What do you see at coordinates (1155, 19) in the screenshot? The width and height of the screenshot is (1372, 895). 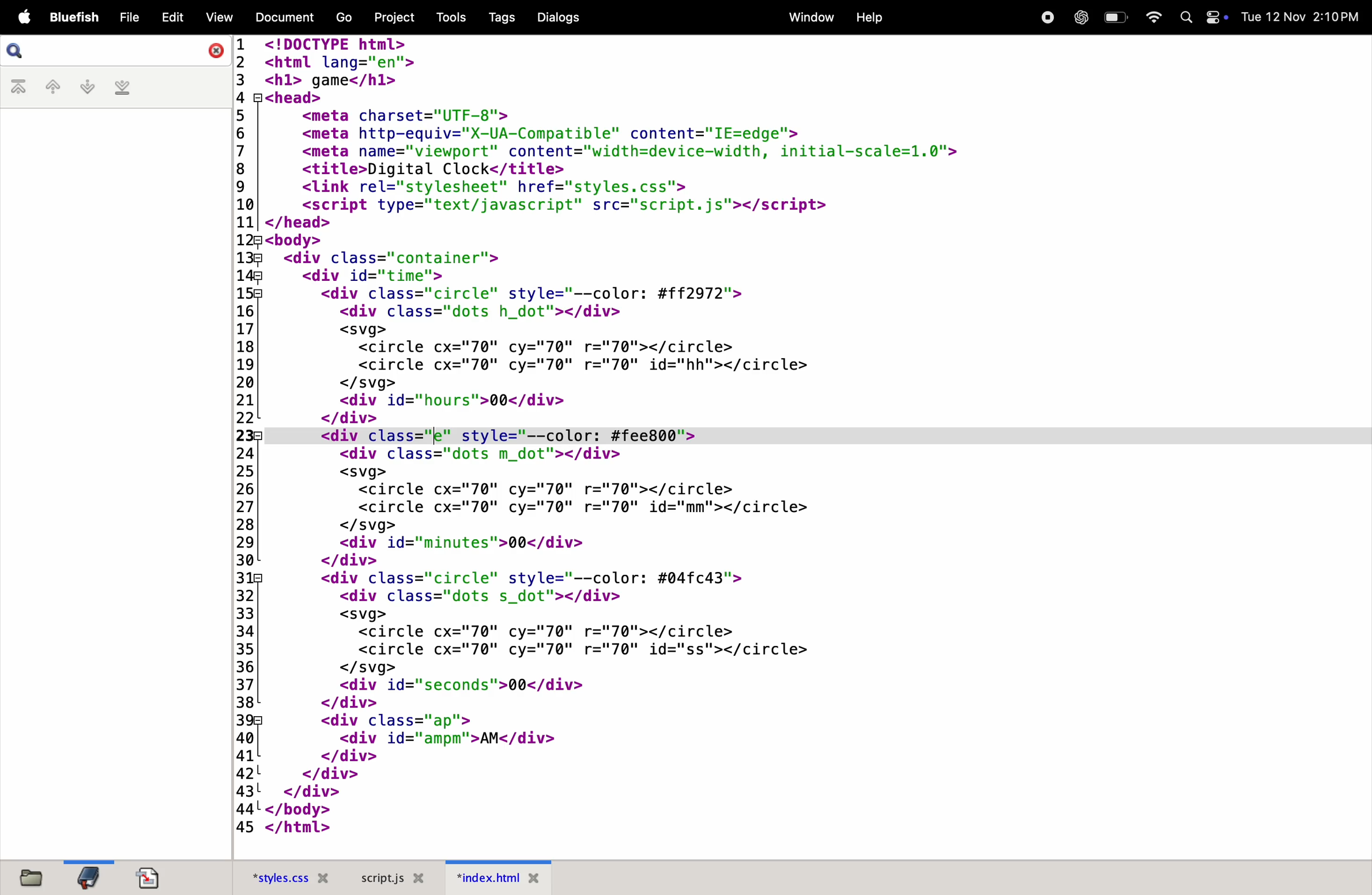 I see `wifi` at bounding box center [1155, 19].